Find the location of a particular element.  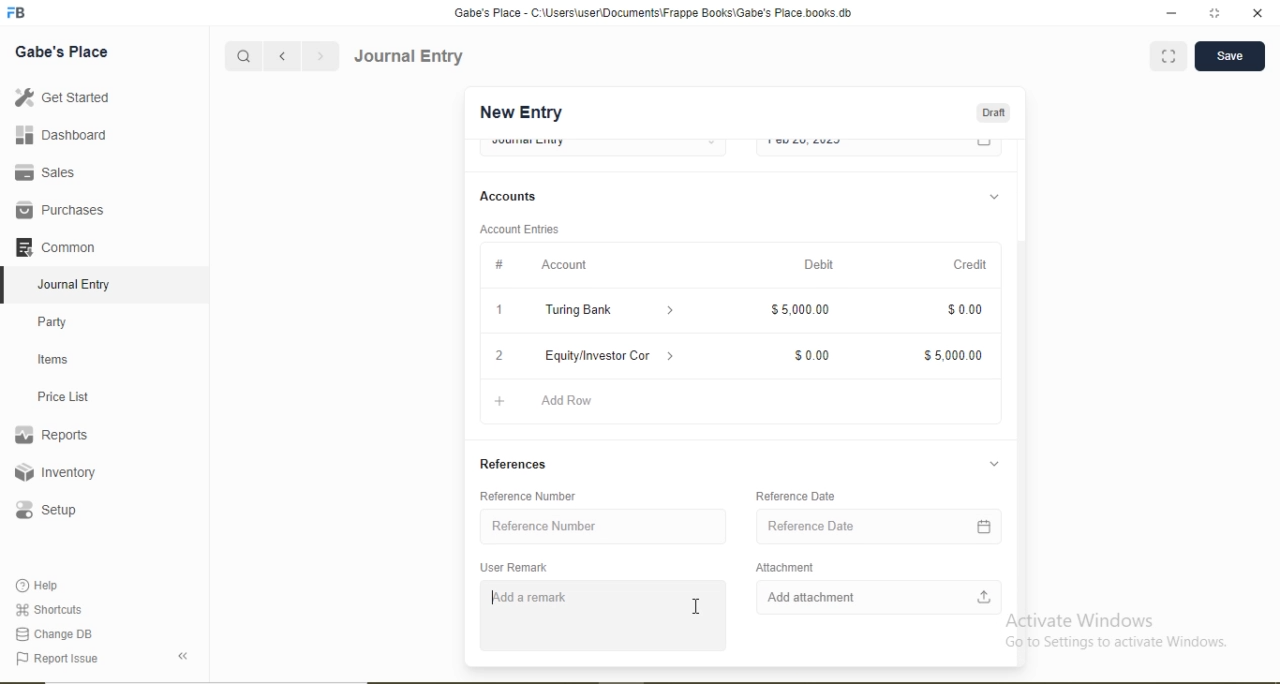

‘Gabe's Place - C:\Users\useriDocuments\Frappe Books\Gabe's Place books db is located at coordinates (652, 13).